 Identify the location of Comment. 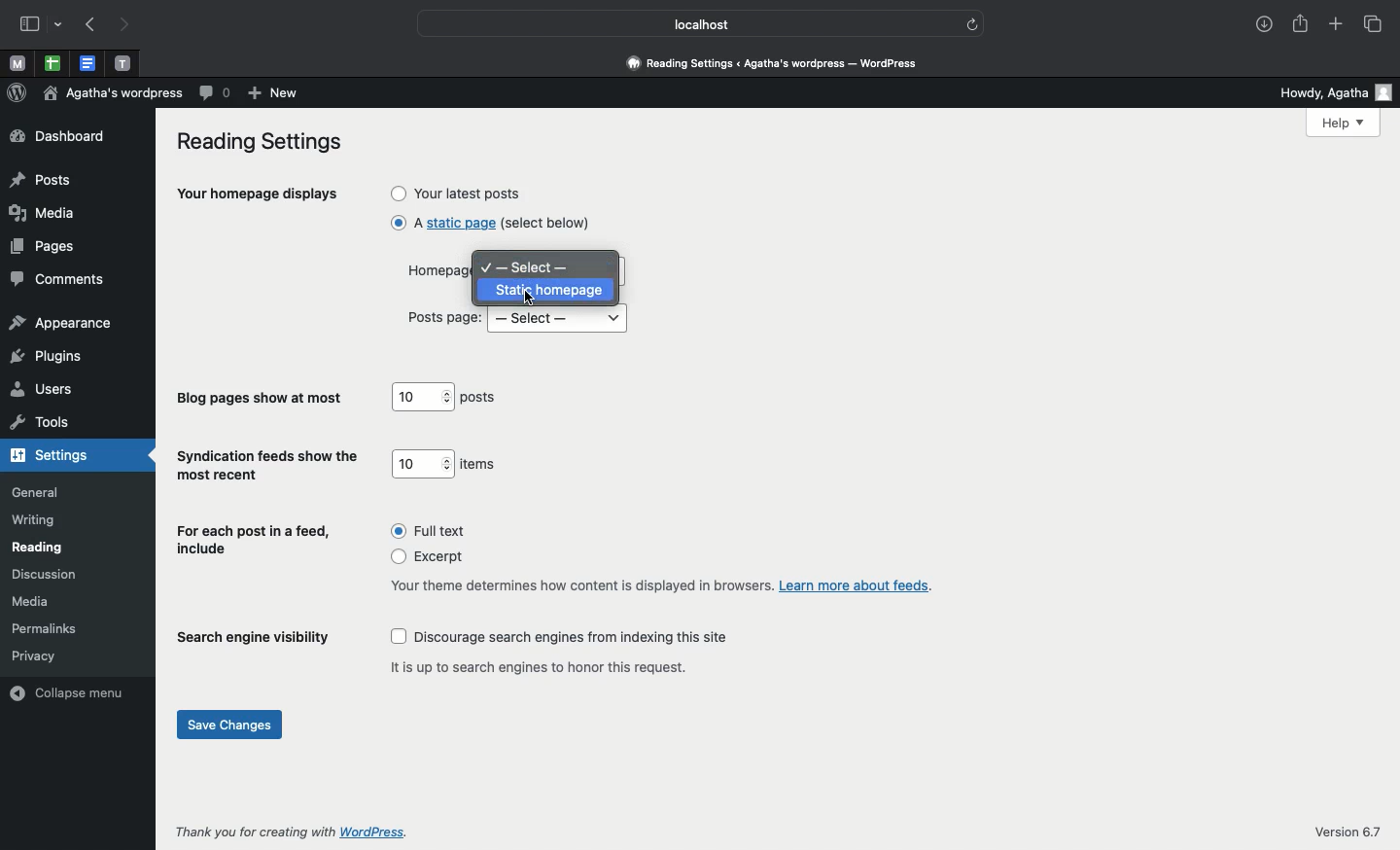
(216, 93).